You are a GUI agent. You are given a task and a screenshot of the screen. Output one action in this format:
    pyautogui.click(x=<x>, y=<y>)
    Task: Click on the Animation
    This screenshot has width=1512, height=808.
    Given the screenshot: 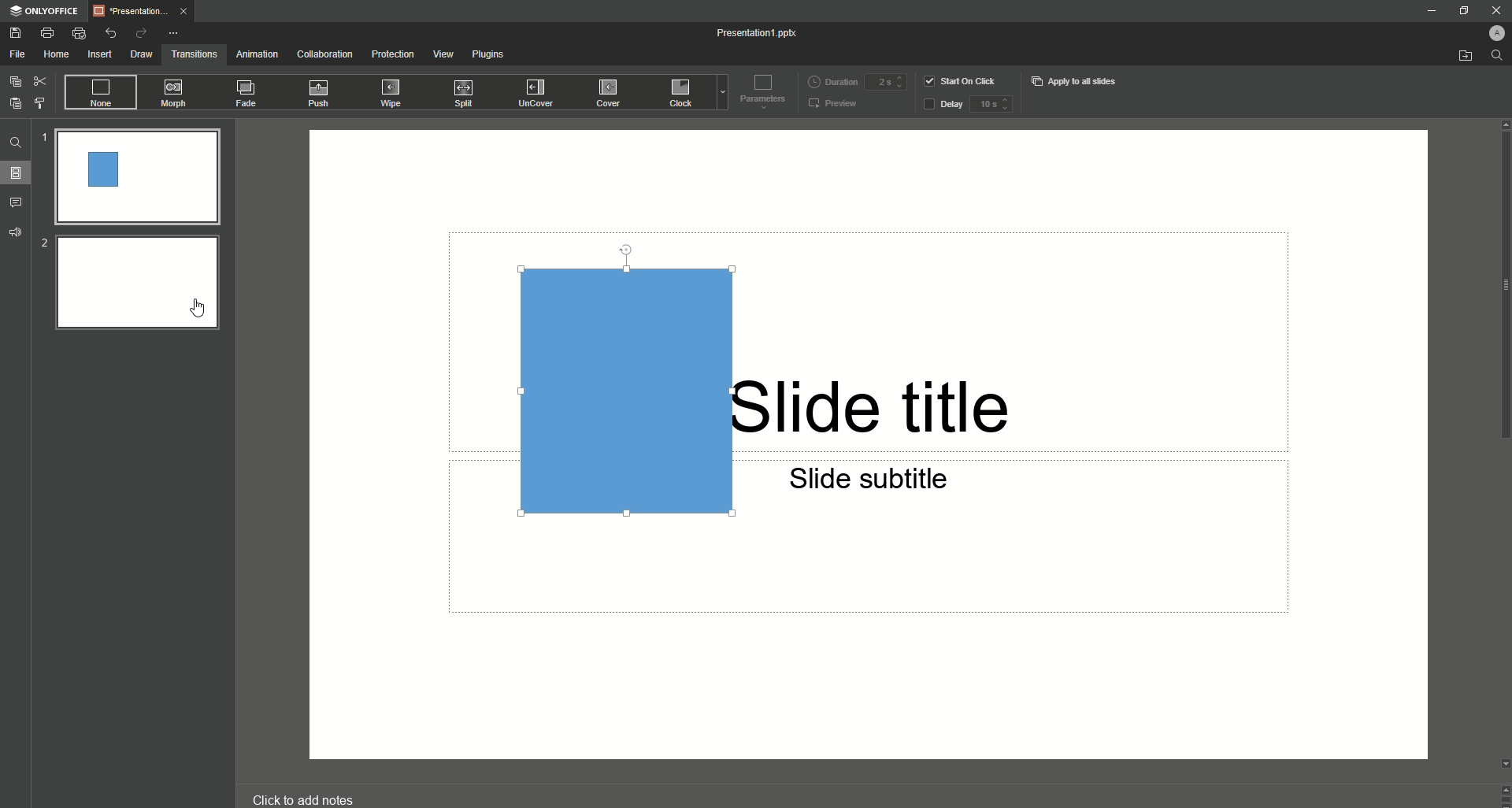 What is the action you would take?
    pyautogui.click(x=258, y=54)
    